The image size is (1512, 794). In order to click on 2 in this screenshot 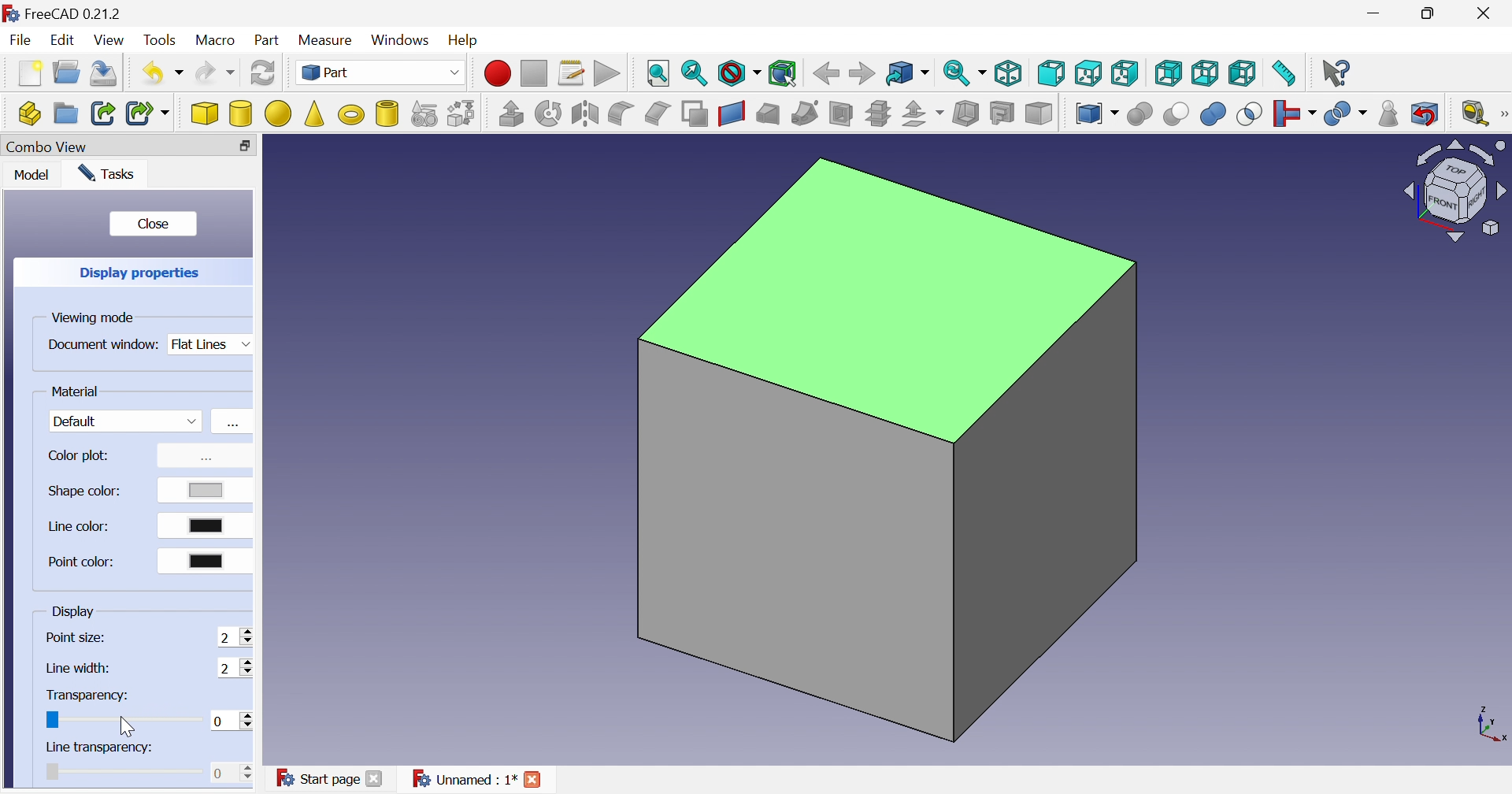, I will do `click(235, 636)`.